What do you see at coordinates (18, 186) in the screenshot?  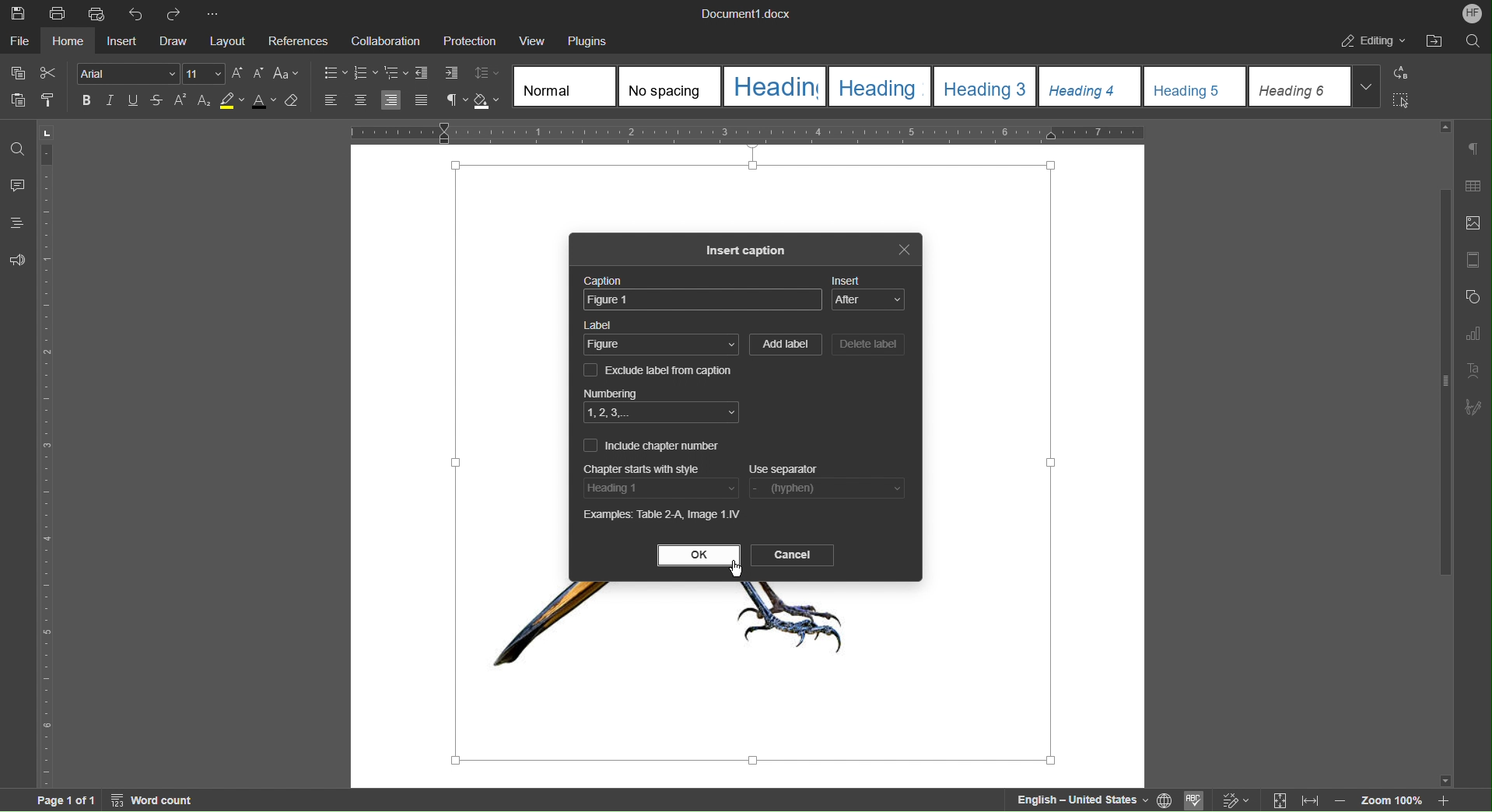 I see `Comments` at bounding box center [18, 186].